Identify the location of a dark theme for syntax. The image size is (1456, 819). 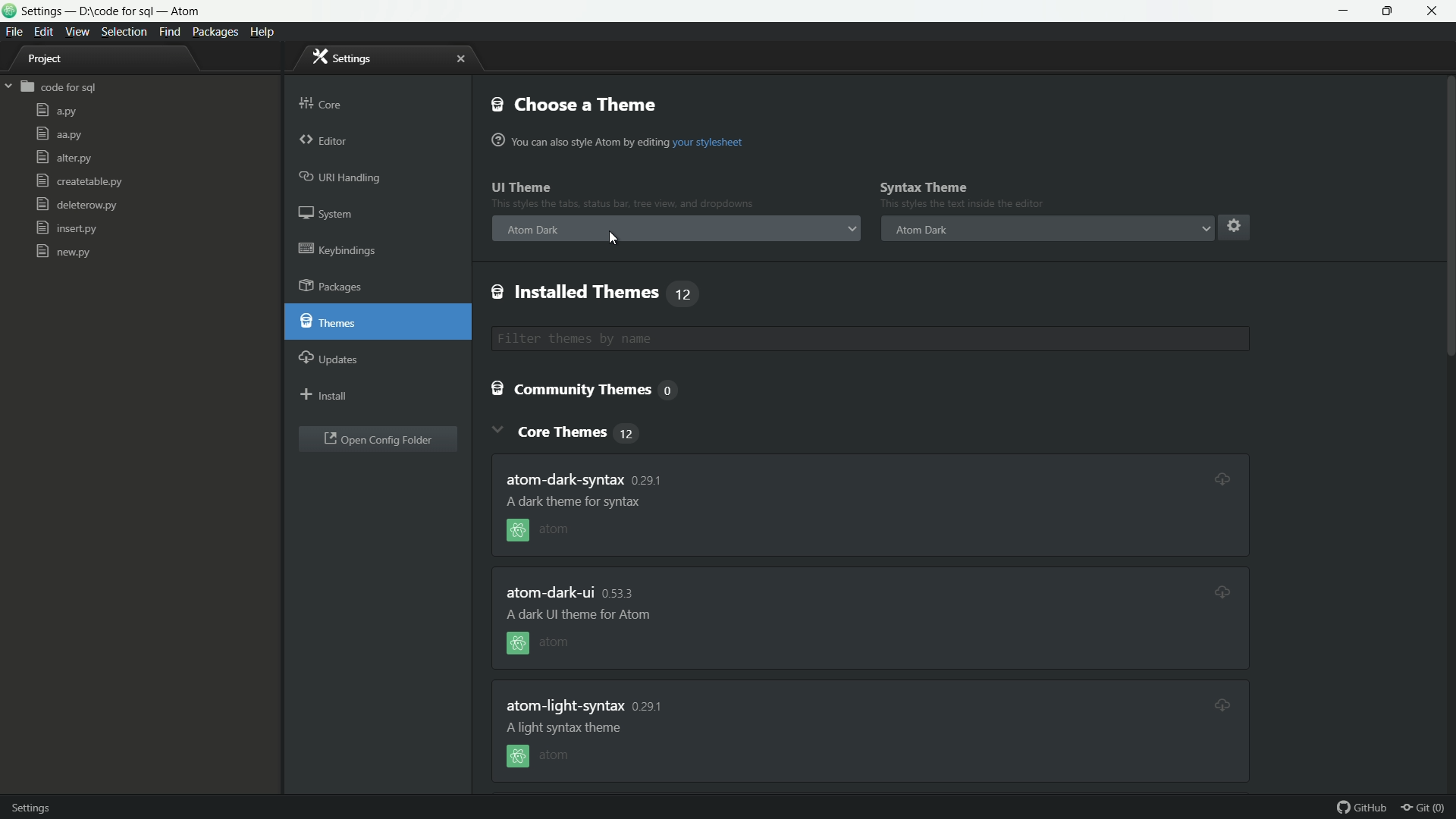
(573, 616).